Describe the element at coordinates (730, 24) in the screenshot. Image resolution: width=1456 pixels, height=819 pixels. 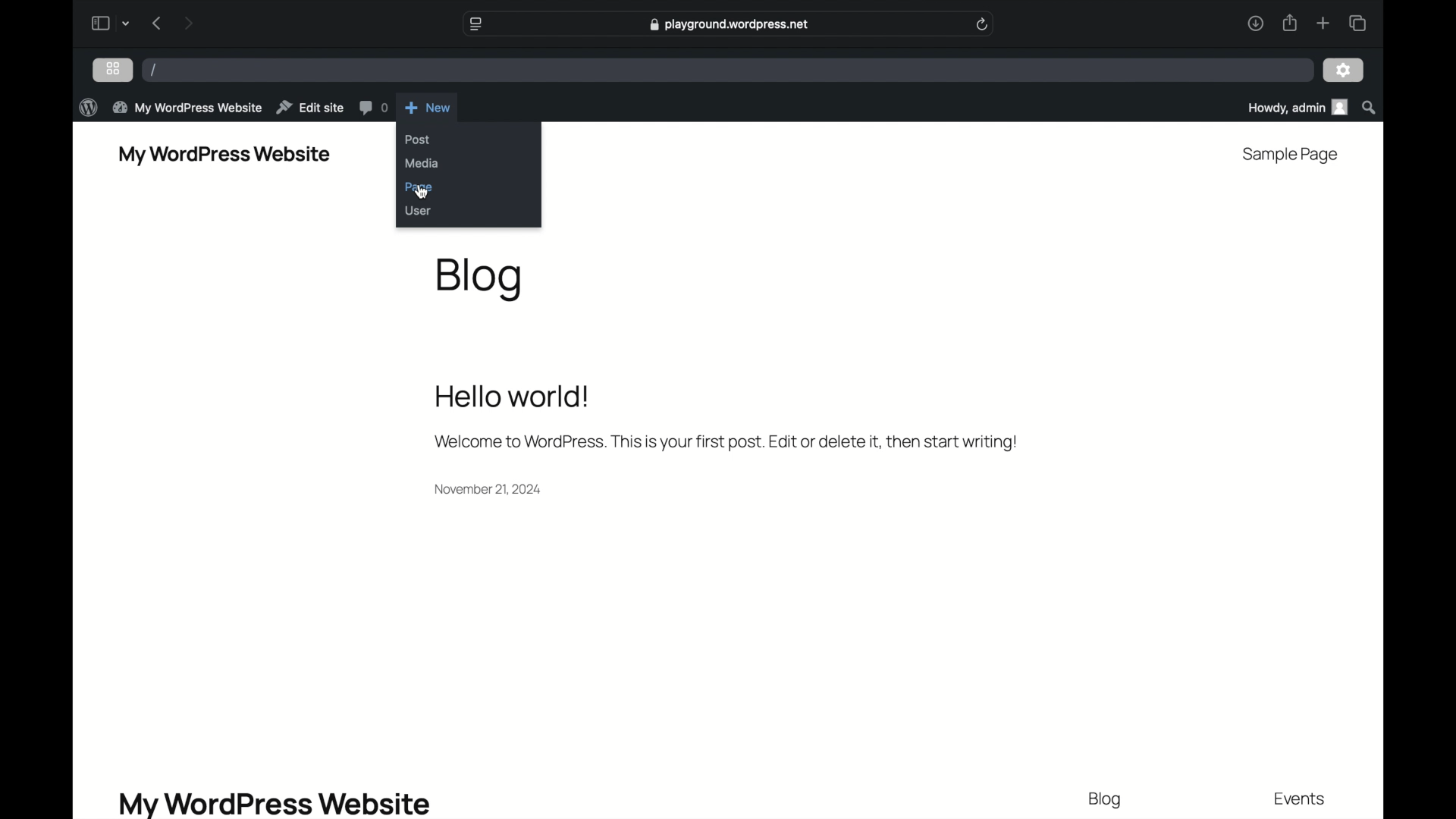
I see `web address` at that location.